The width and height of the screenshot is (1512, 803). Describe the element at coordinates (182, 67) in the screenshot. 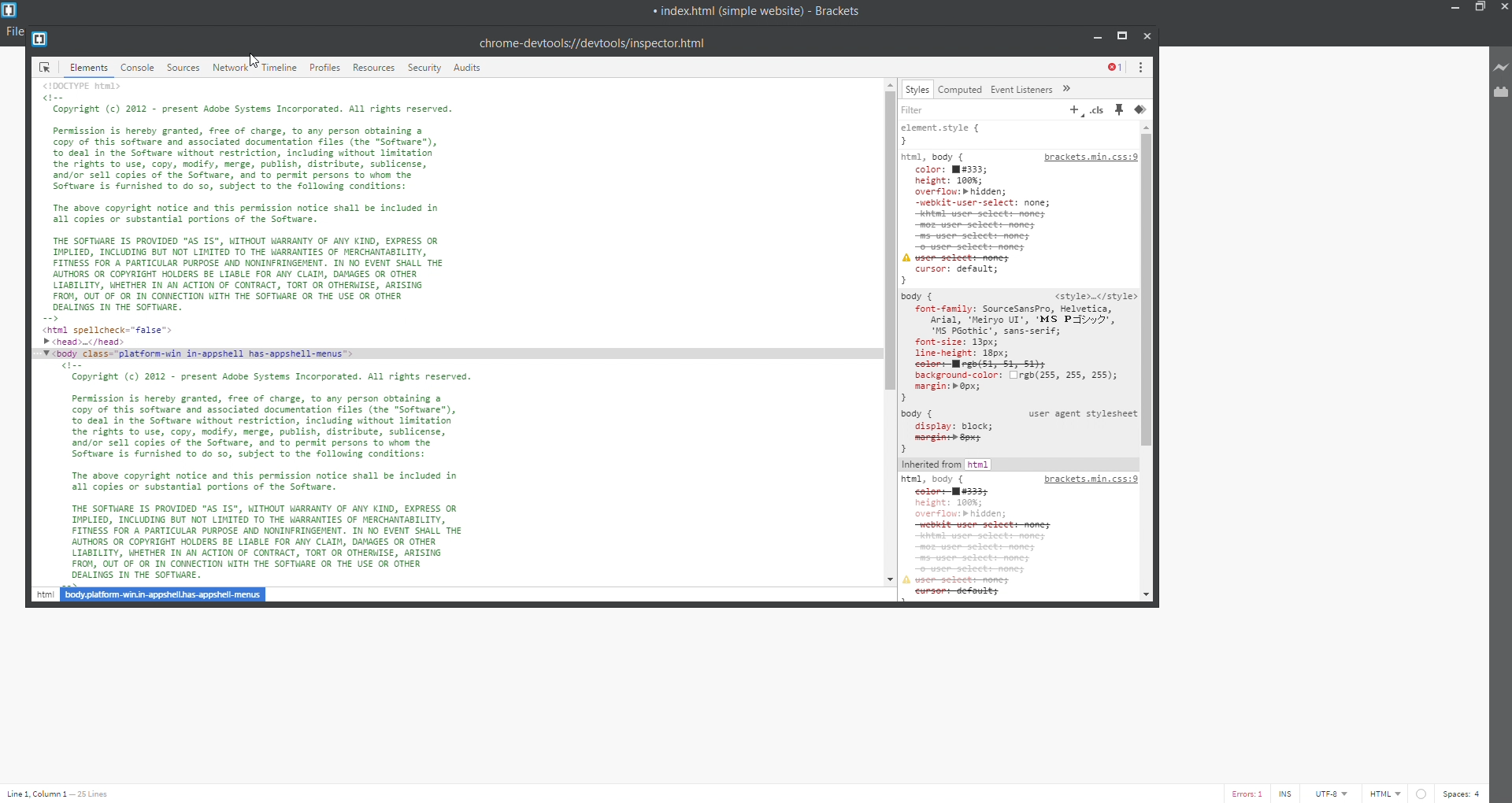

I see `sources` at that location.